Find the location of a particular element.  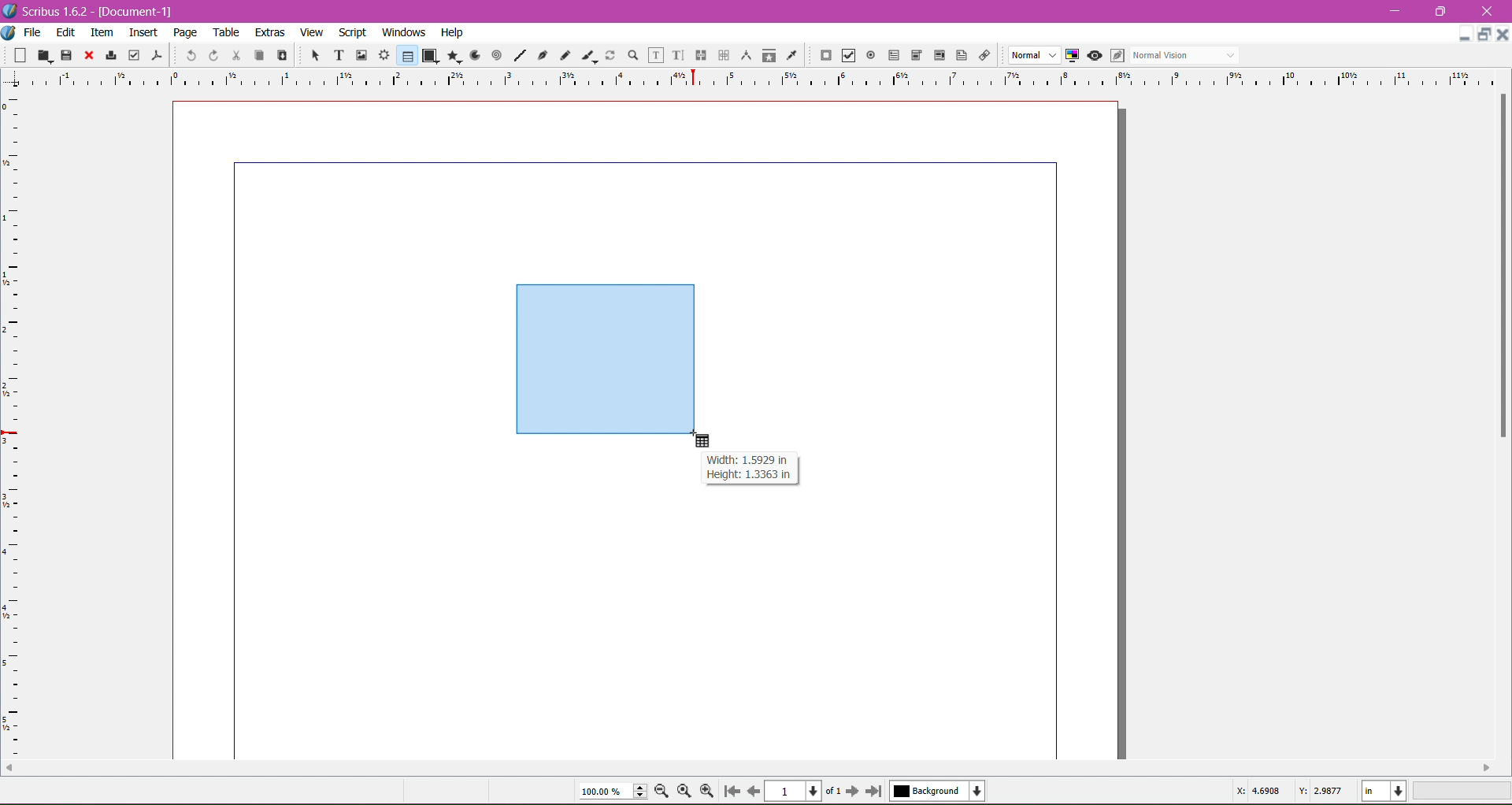

Last Page is located at coordinates (877, 792).